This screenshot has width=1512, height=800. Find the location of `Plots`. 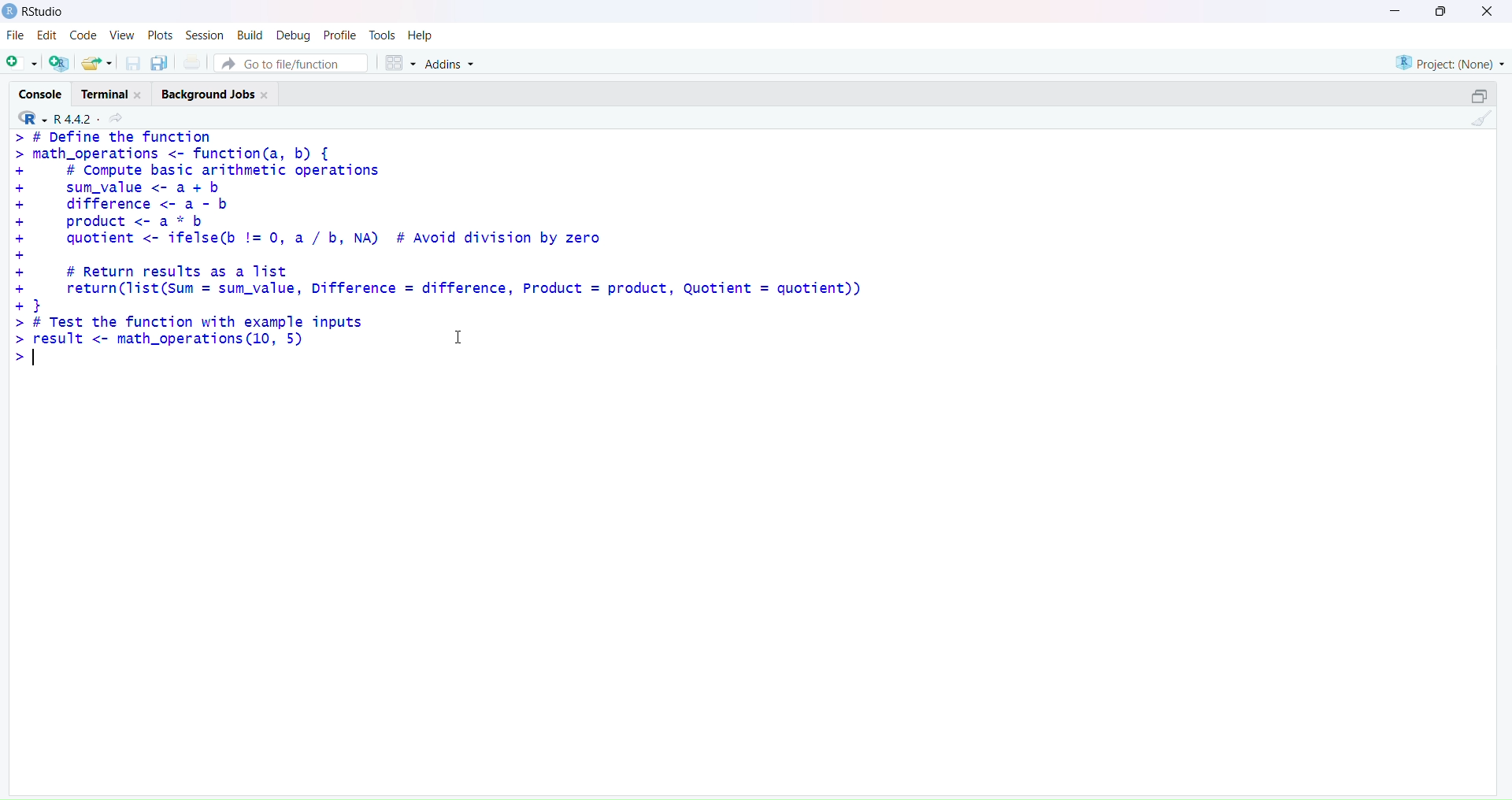

Plots is located at coordinates (158, 35).